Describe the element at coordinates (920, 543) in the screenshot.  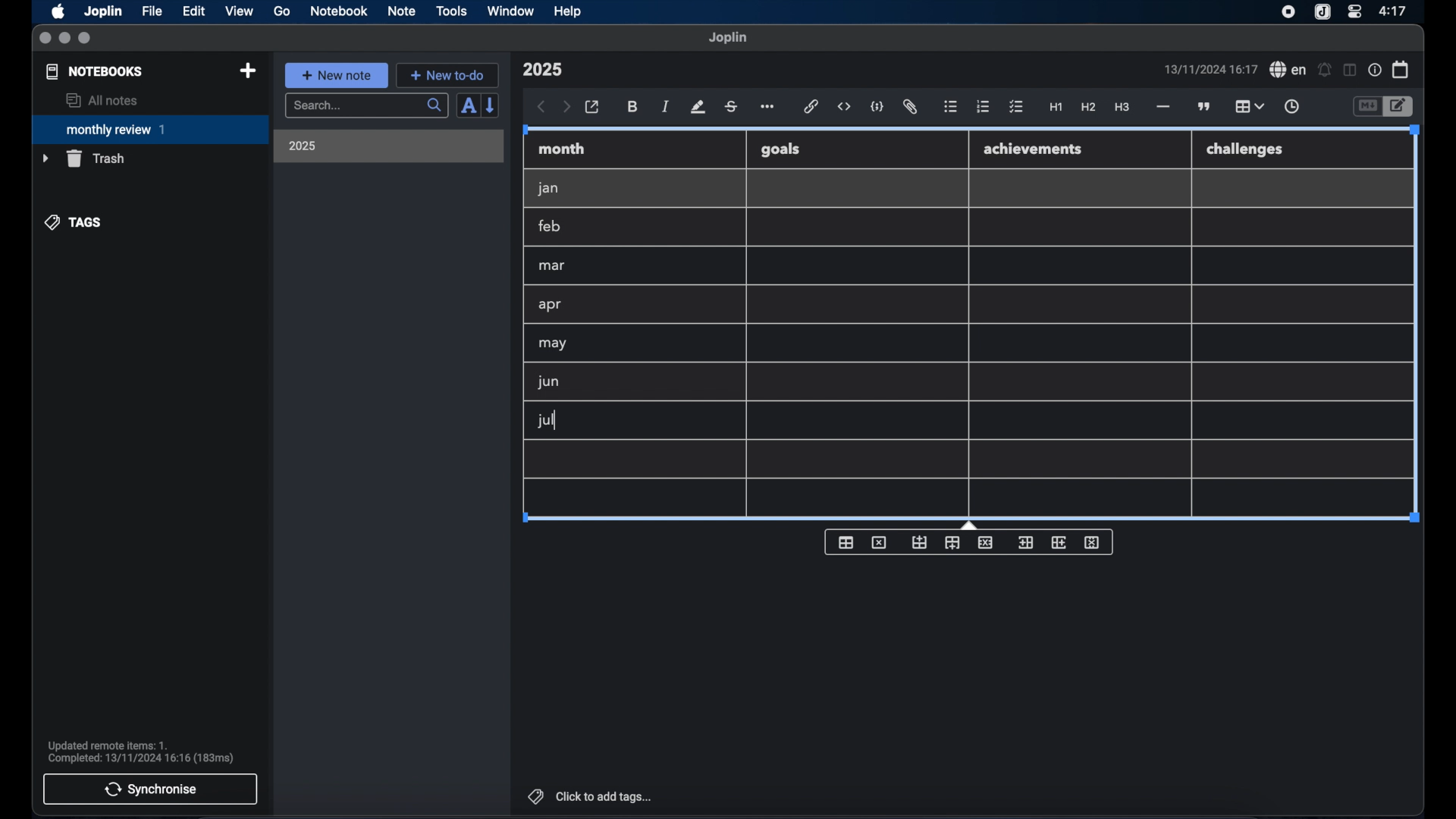
I see `insert row before` at that location.